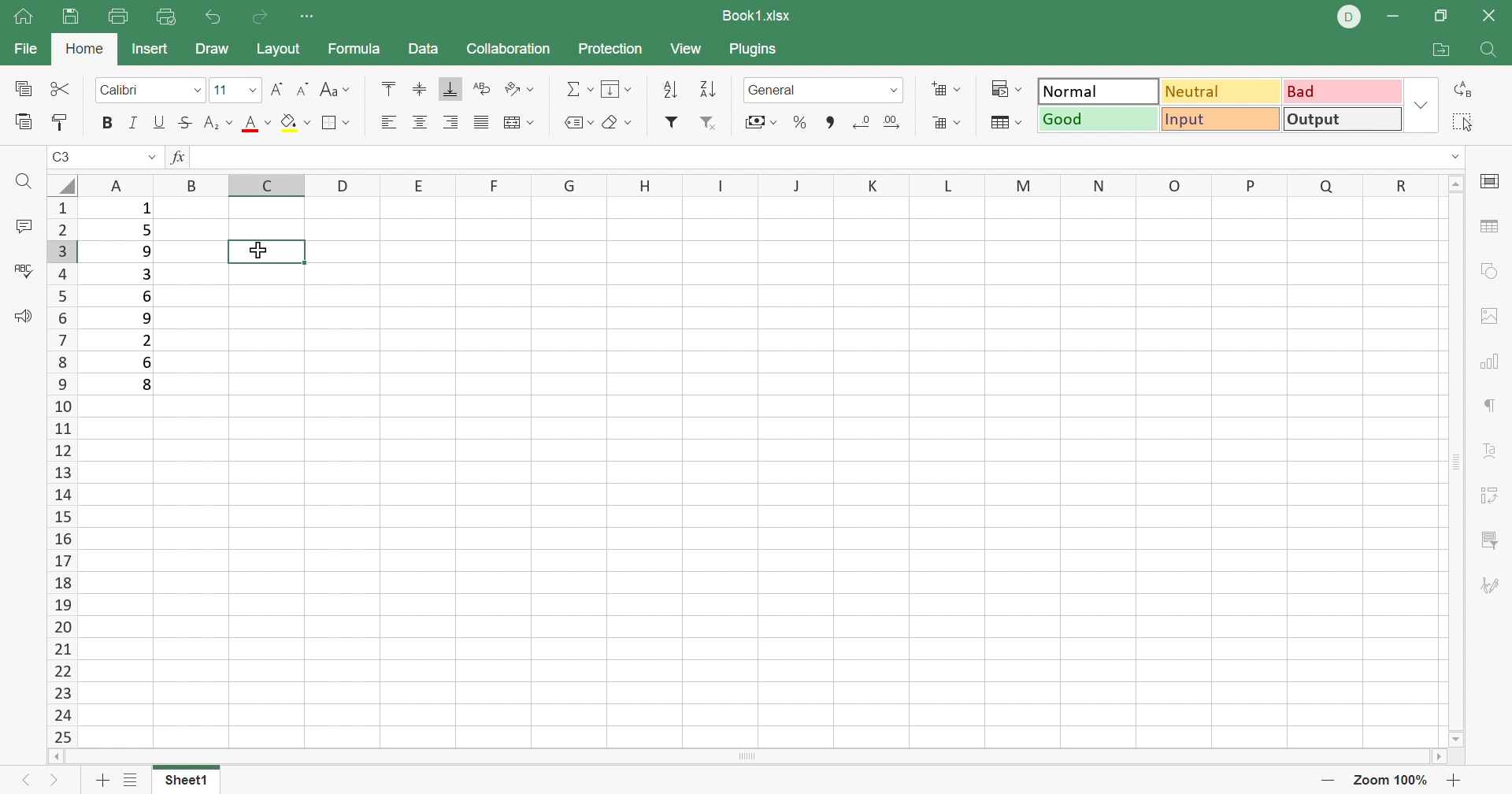  What do you see at coordinates (187, 782) in the screenshot?
I see `Sheet1` at bounding box center [187, 782].